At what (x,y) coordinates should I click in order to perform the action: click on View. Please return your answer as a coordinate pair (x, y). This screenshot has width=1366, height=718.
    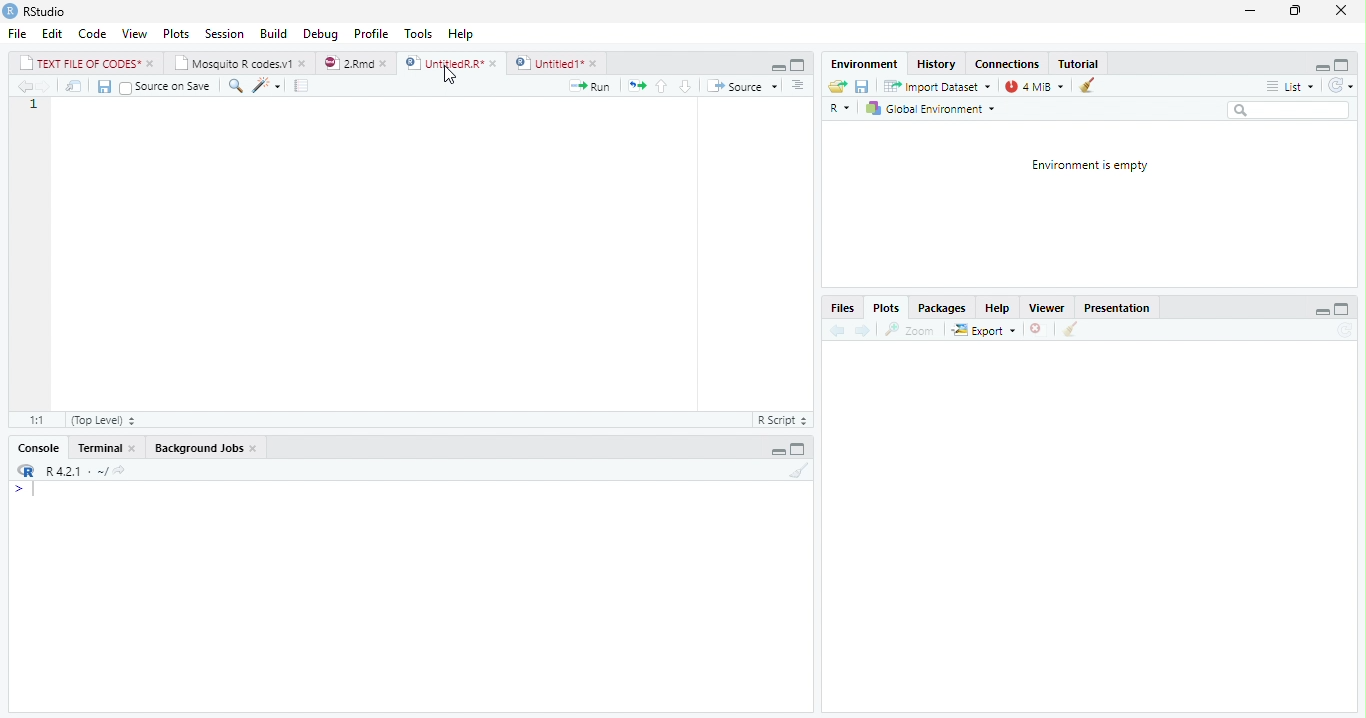
    Looking at the image, I should click on (135, 32).